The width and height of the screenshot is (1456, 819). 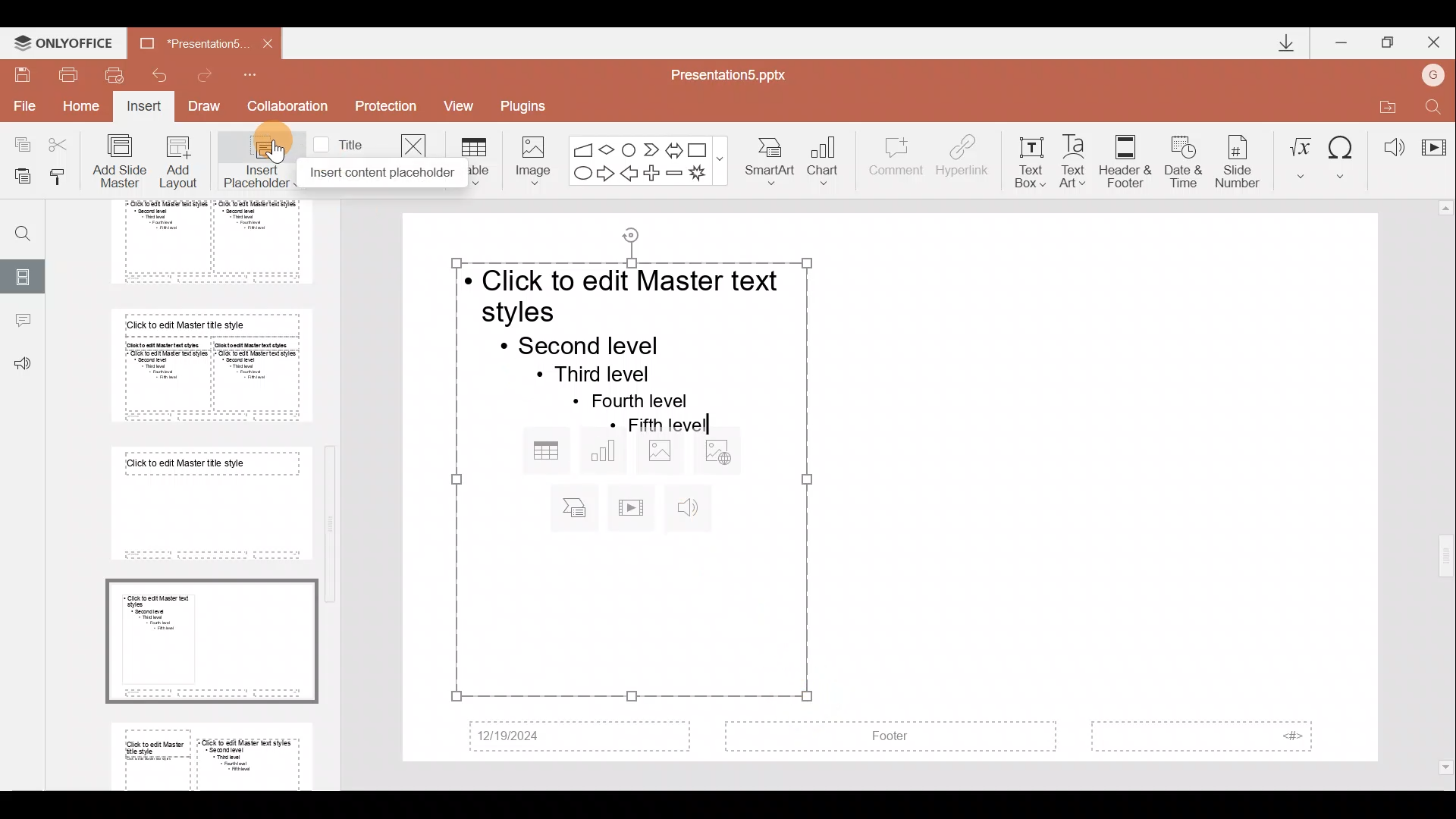 What do you see at coordinates (215, 753) in the screenshot?
I see `Slide 9` at bounding box center [215, 753].